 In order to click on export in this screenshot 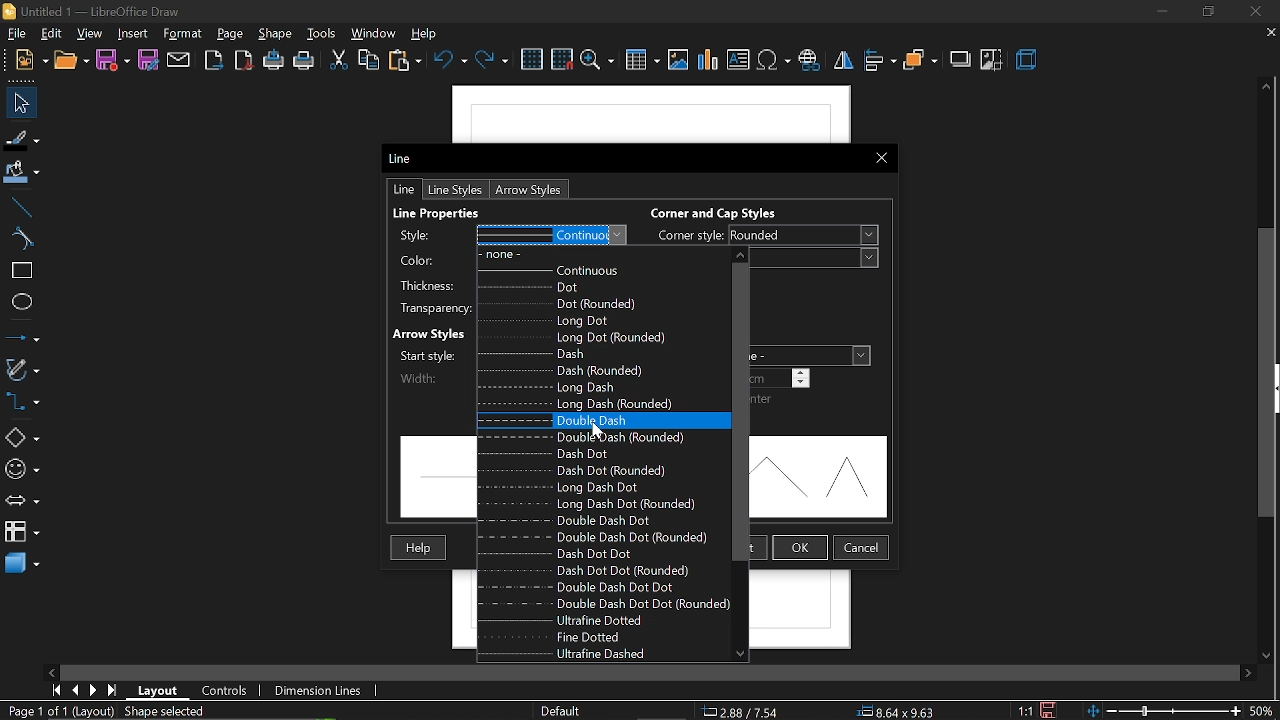, I will do `click(211, 60)`.